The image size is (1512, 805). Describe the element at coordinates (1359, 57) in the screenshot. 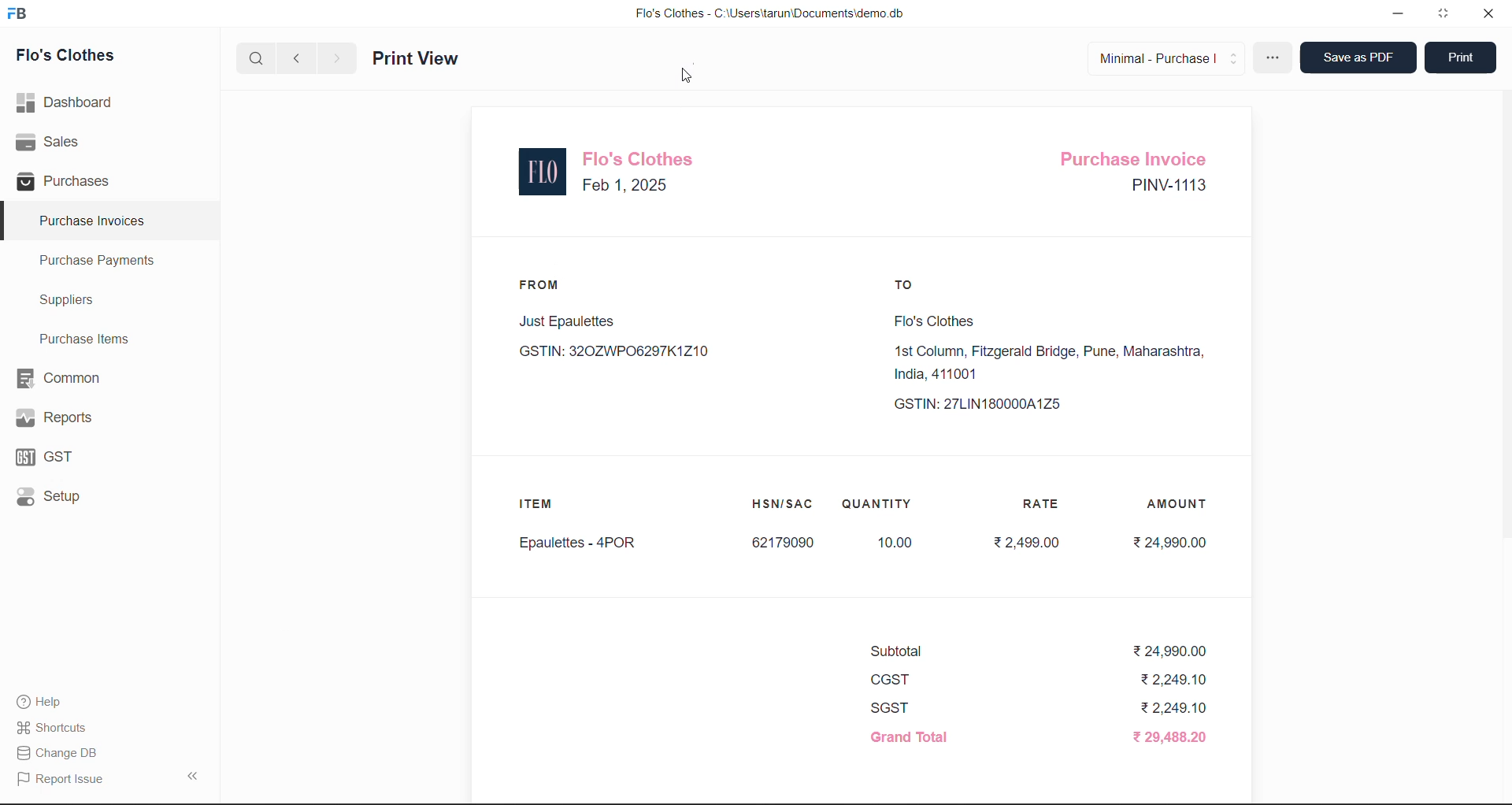

I see `Save as PDF` at that location.